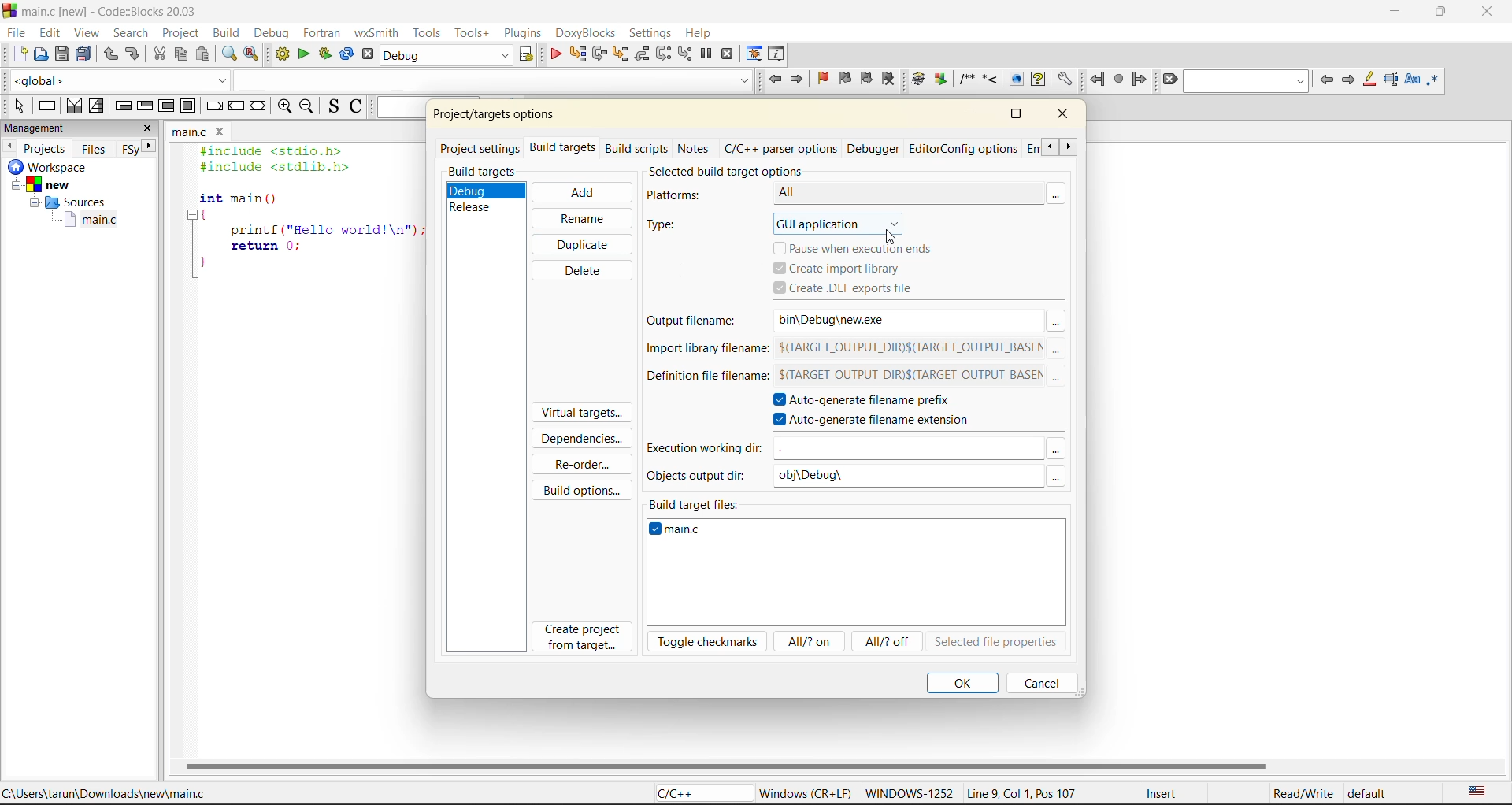 This screenshot has height=805, width=1512. I want to click on next line, so click(601, 56).